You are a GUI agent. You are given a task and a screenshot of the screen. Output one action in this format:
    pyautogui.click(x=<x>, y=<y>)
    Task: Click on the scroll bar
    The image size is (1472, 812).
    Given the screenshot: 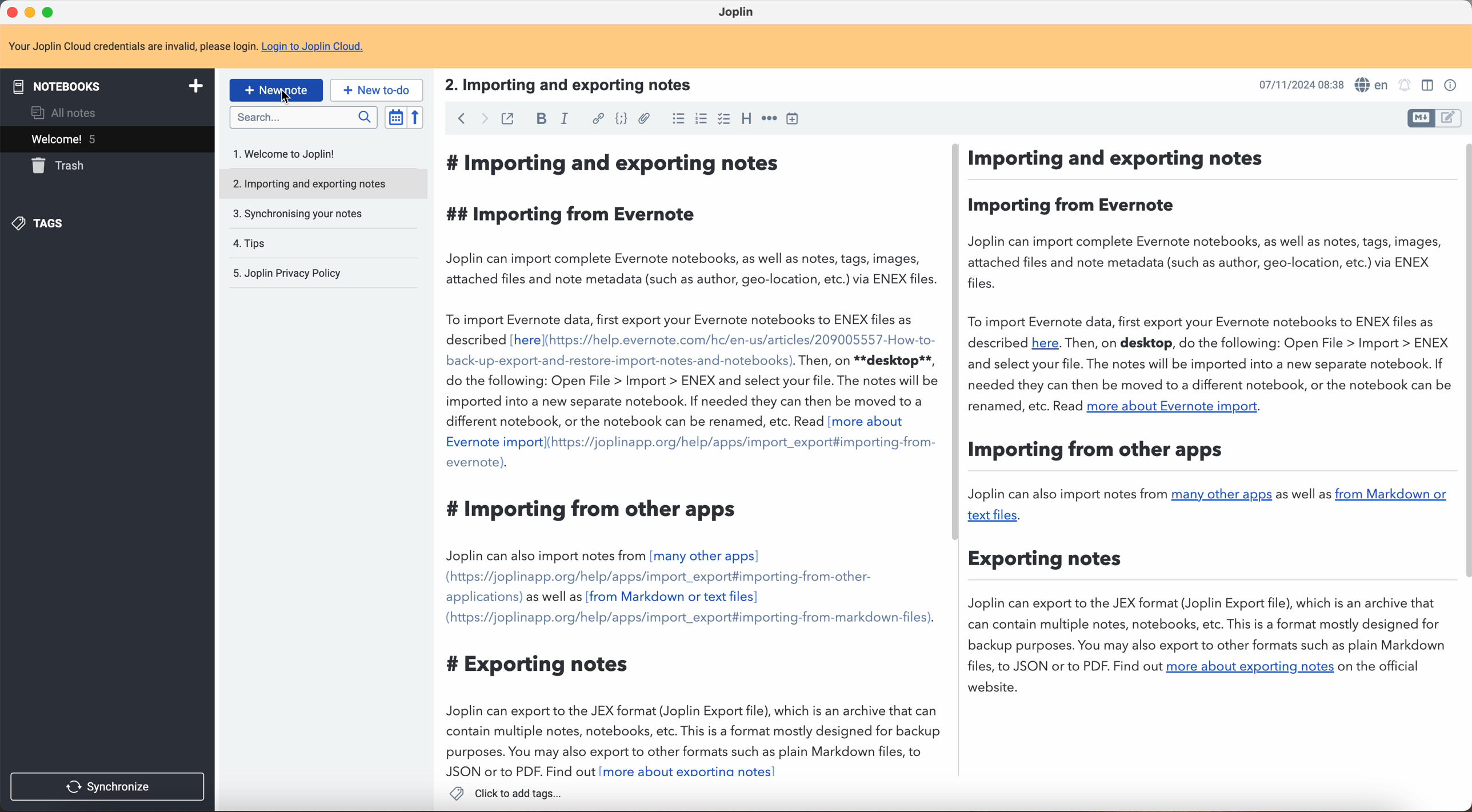 What is the action you would take?
    pyautogui.click(x=1463, y=360)
    